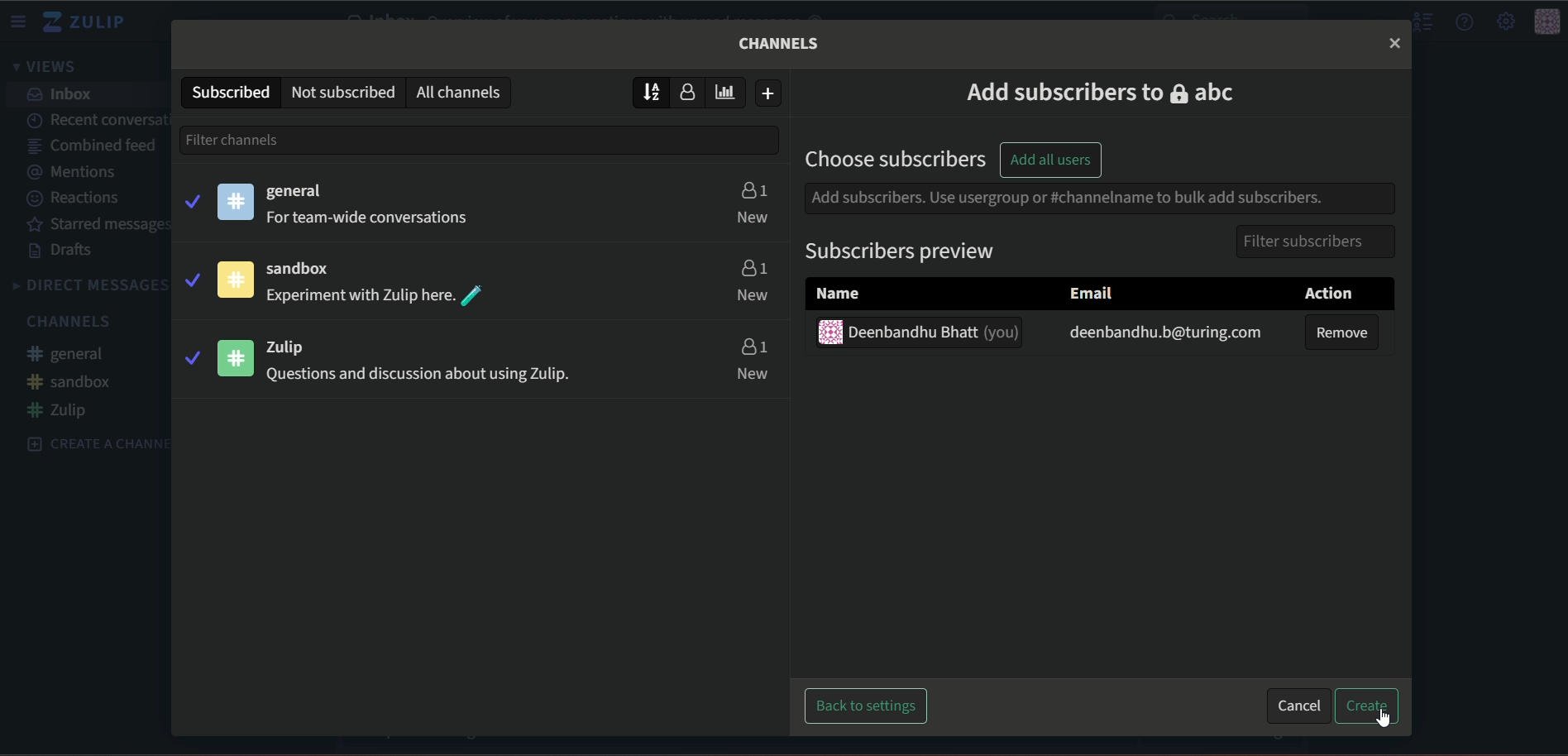 The image size is (1568, 756). What do you see at coordinates (89, 22) in the screenshot?
I see `zulip logo` at bounding box center [89, 22].